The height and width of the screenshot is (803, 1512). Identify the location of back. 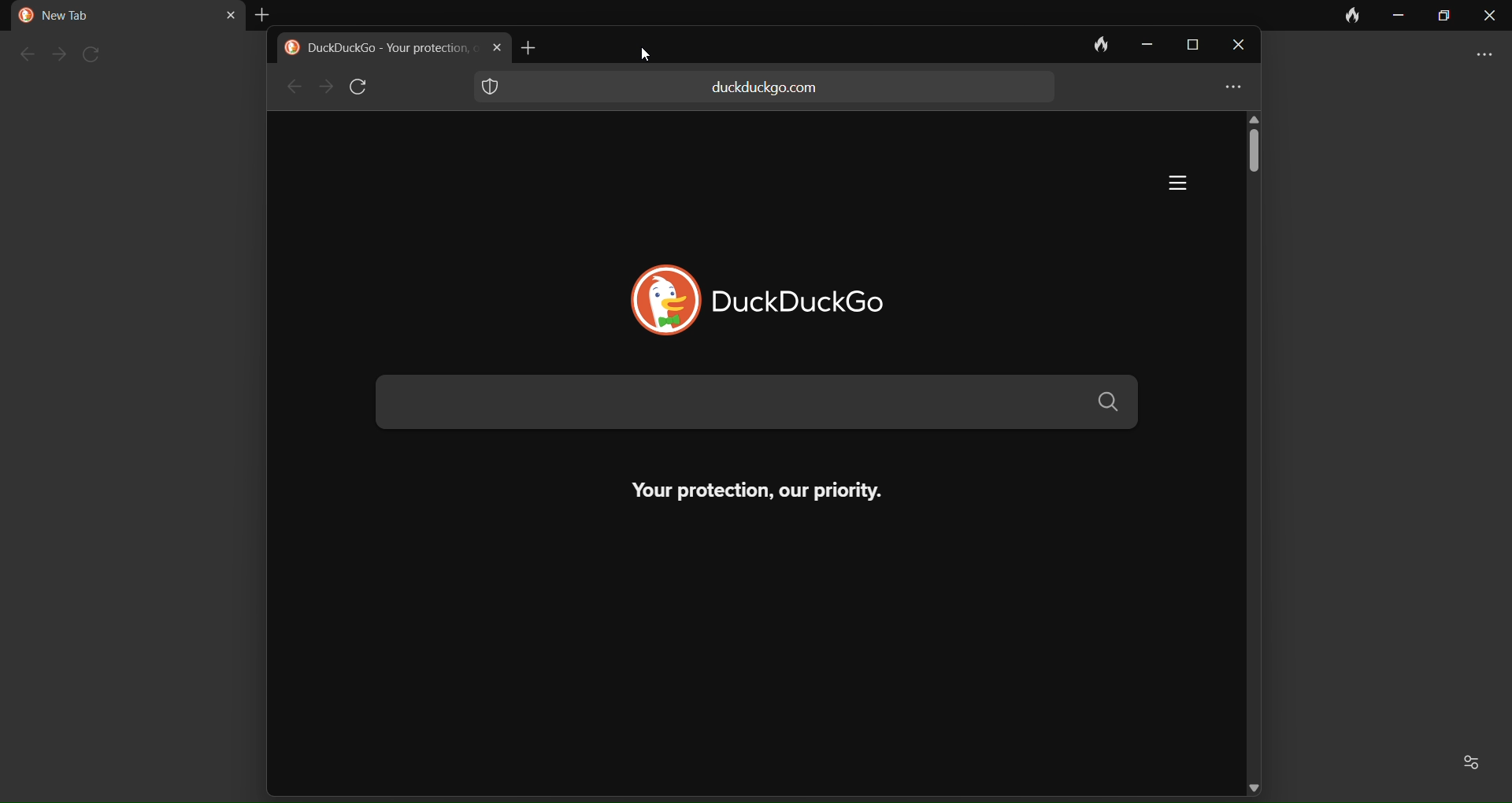
(22, 56).